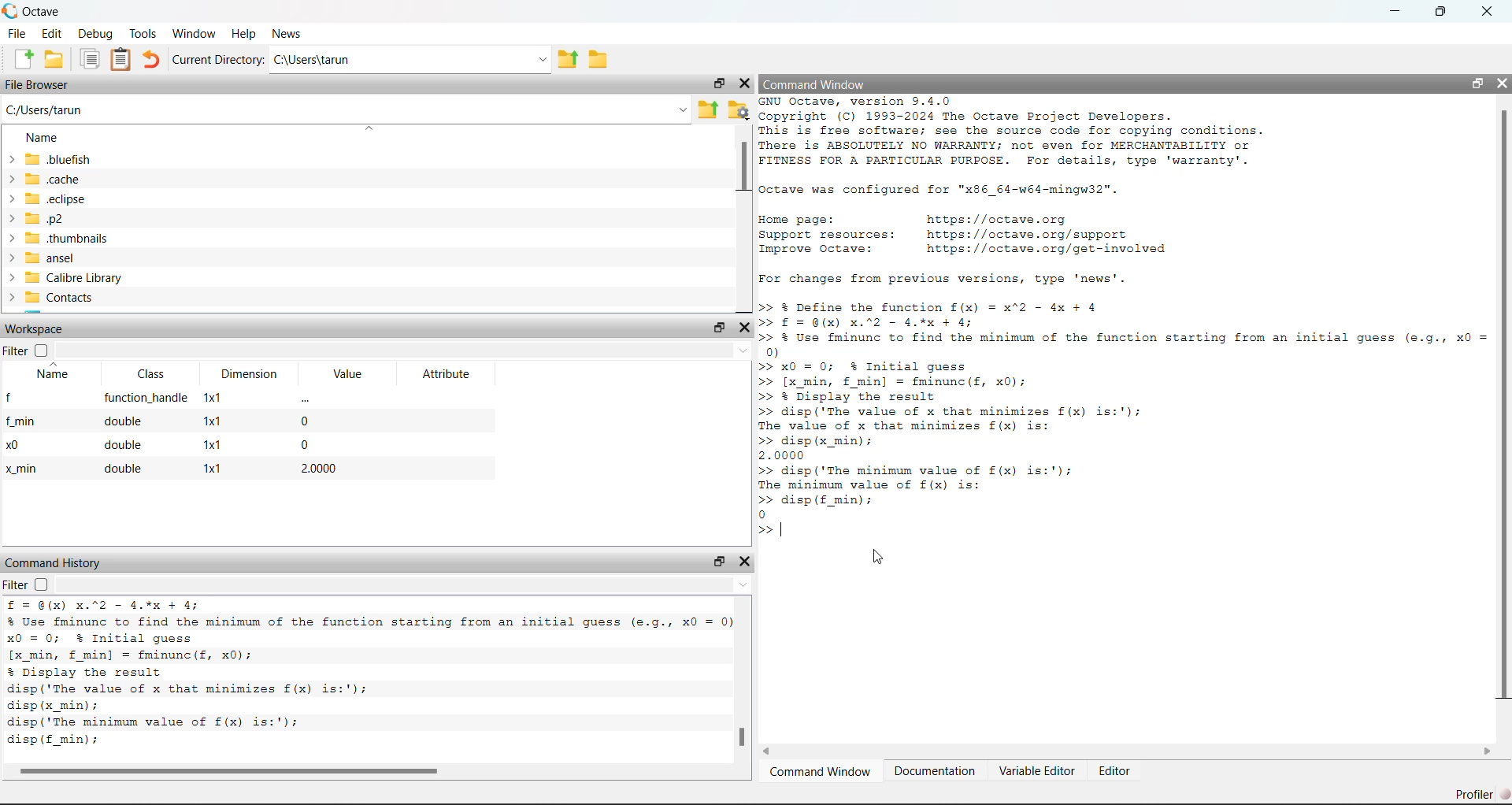 The width and height of the screenshot is (1512, 805). Describe the element at coordinates (94, 34) in the screenshot. I see `Debug` at that location.